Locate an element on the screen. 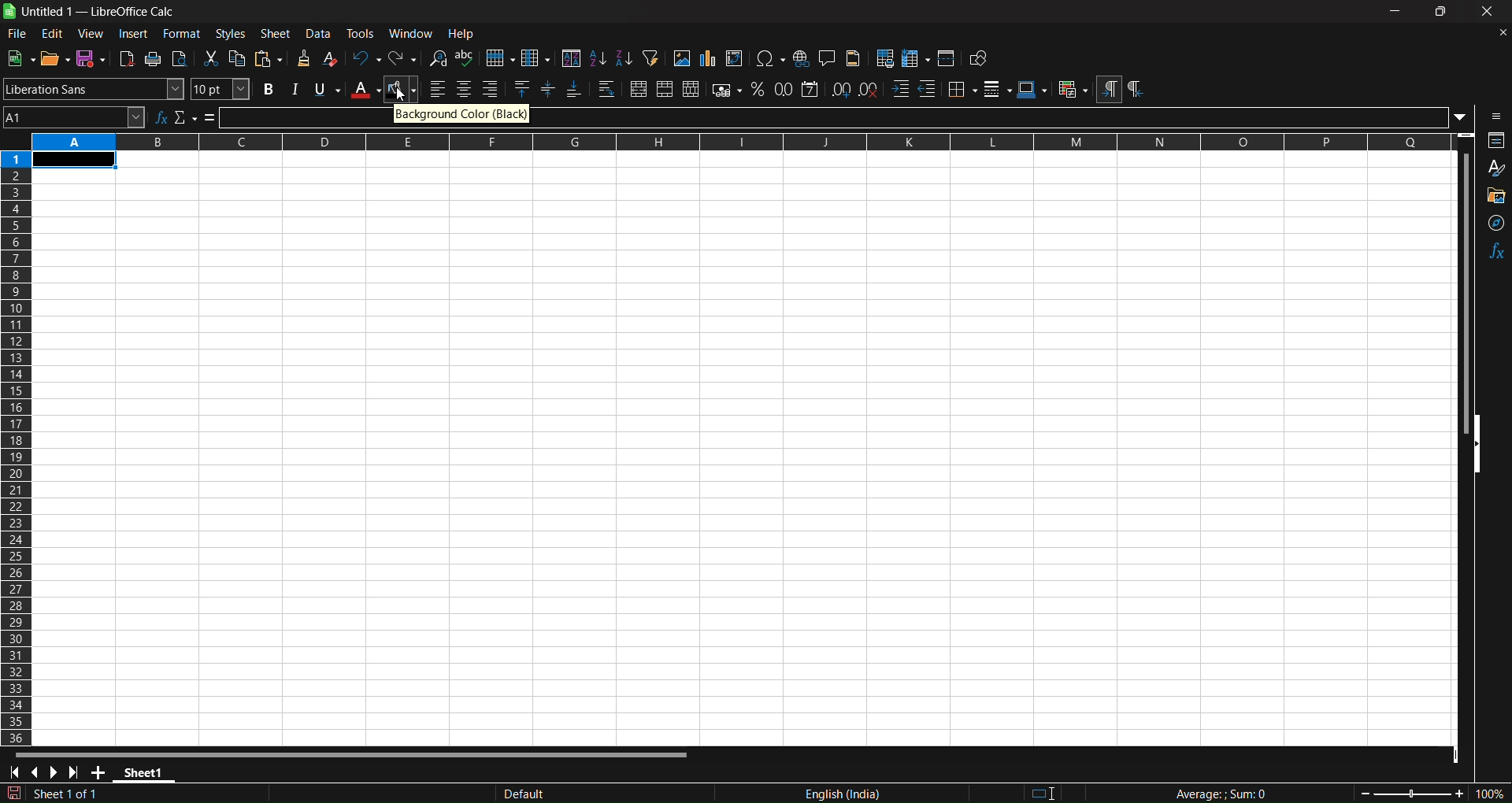  scroll to next sheet is located at coordinates (56, 772).